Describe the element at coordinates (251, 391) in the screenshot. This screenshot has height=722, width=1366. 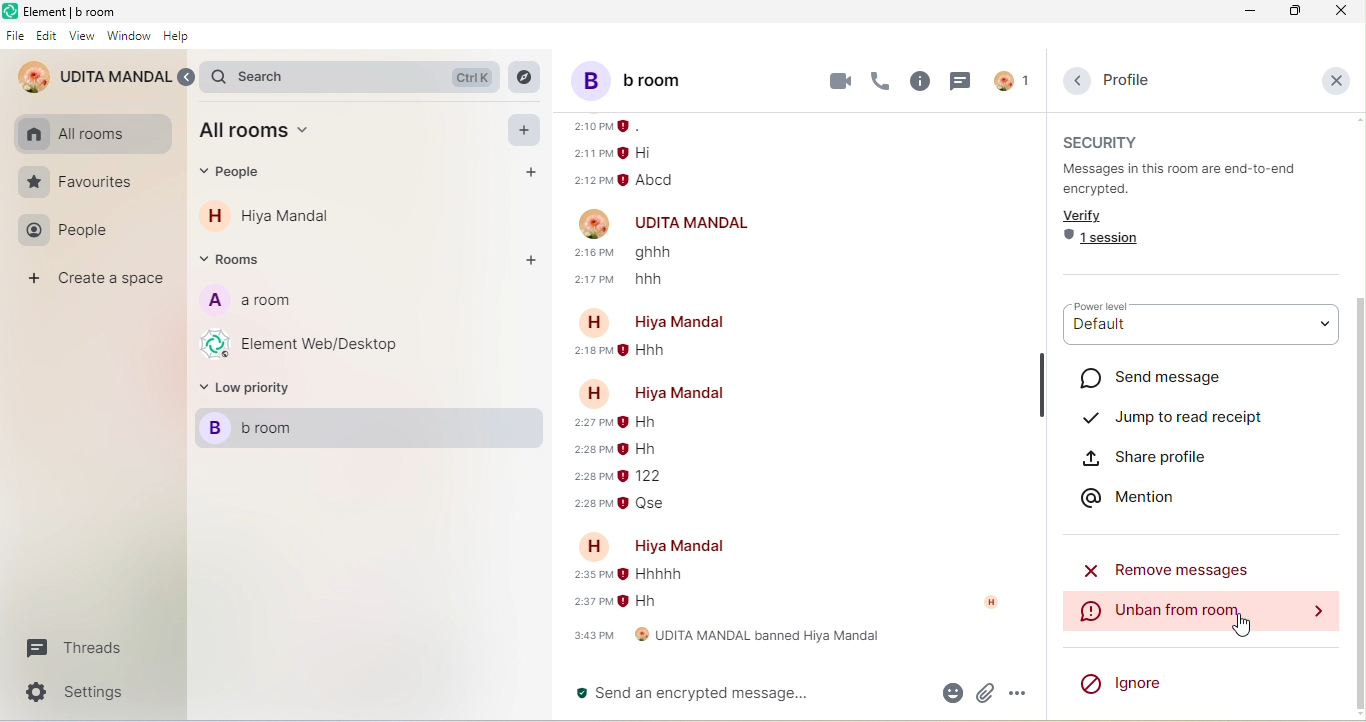
I see `low priority` at that location.